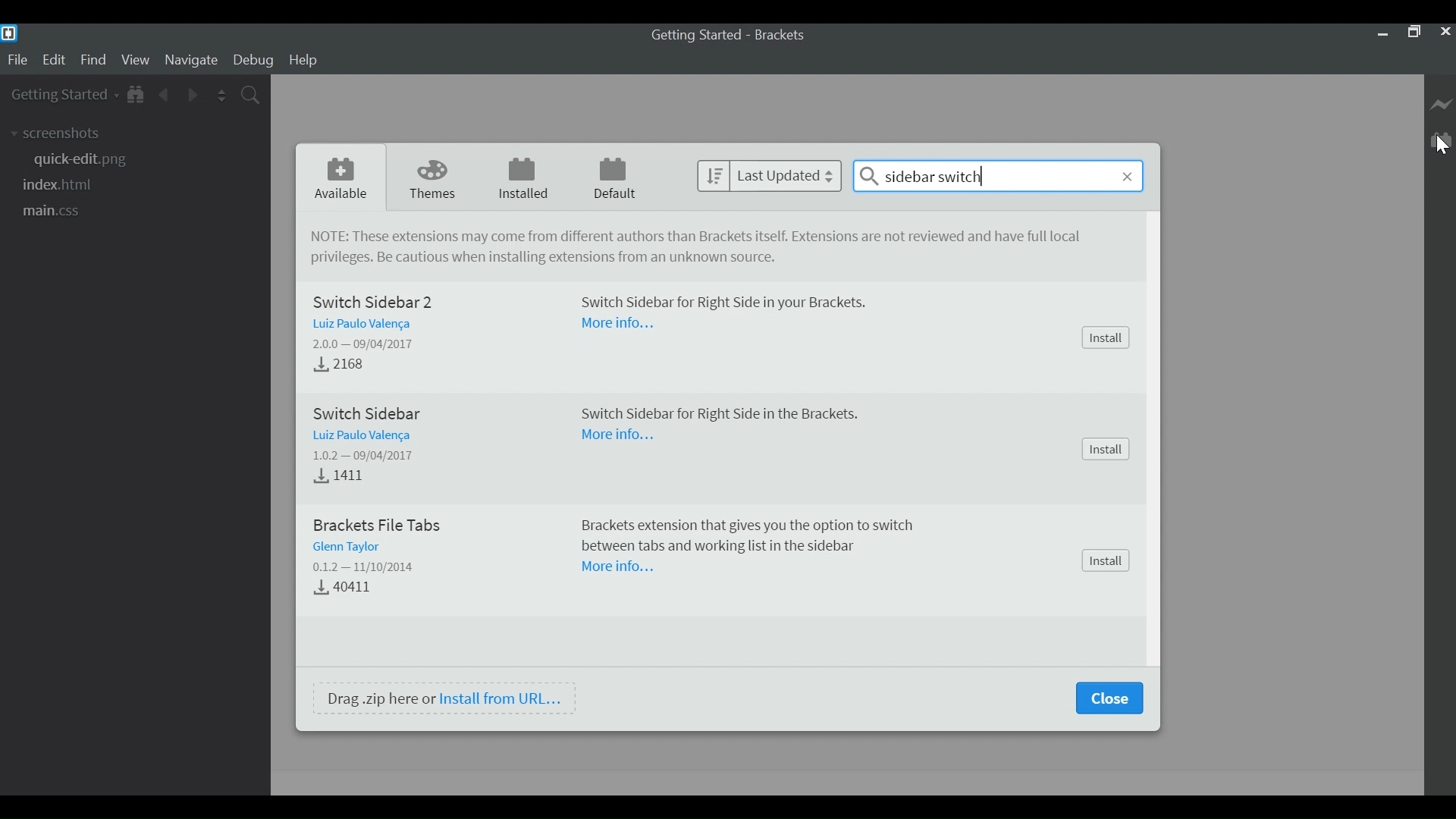 Image resolution: width=1456 pixels, height=819 pixels. Describe the element at coordinates (340, 364) in the screenshot. I see `Download` at that location.